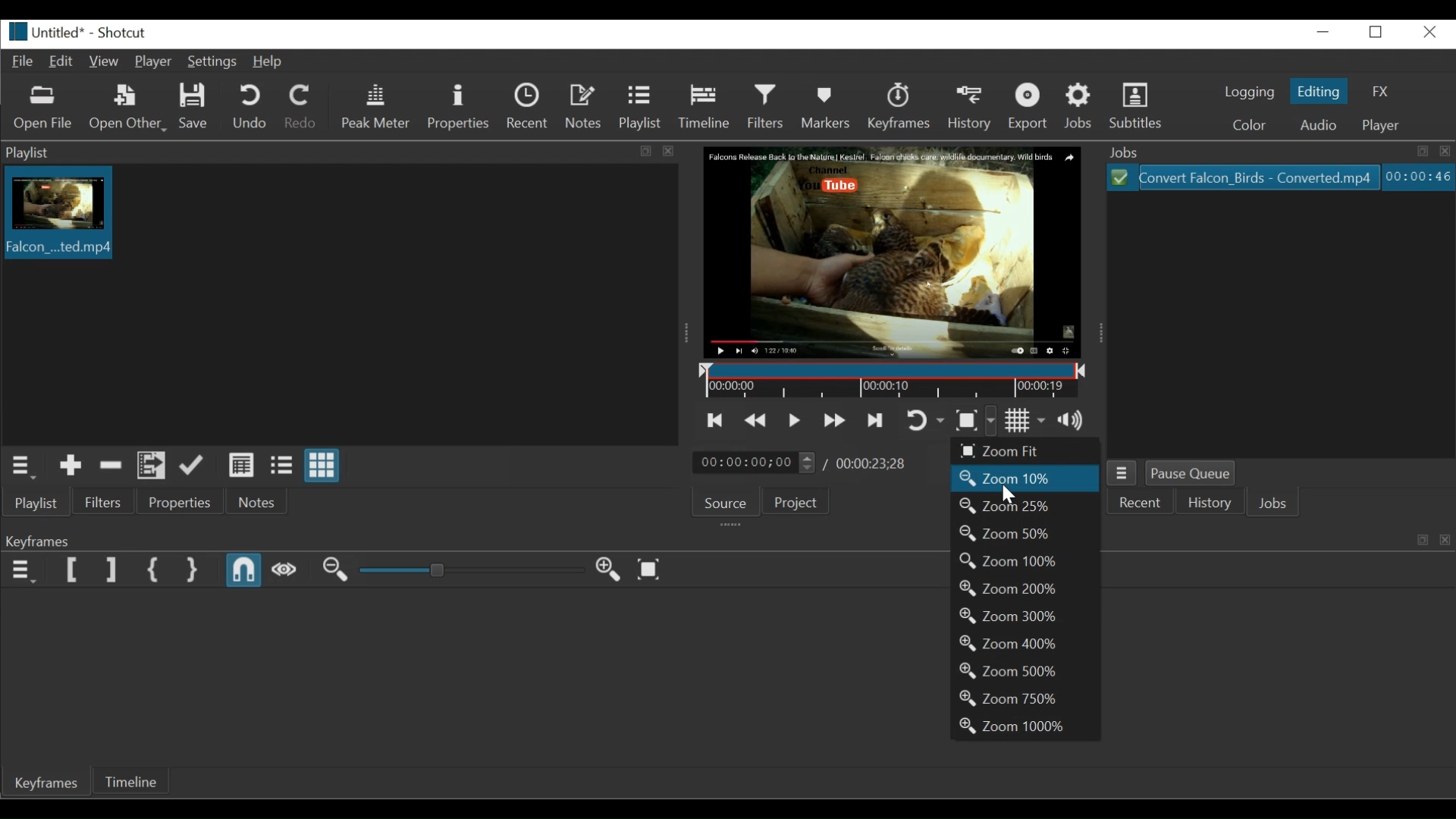 Image resolution: width=1456 pixels, height=819 pixels. I want to click on Restore, so click(1376, 33).